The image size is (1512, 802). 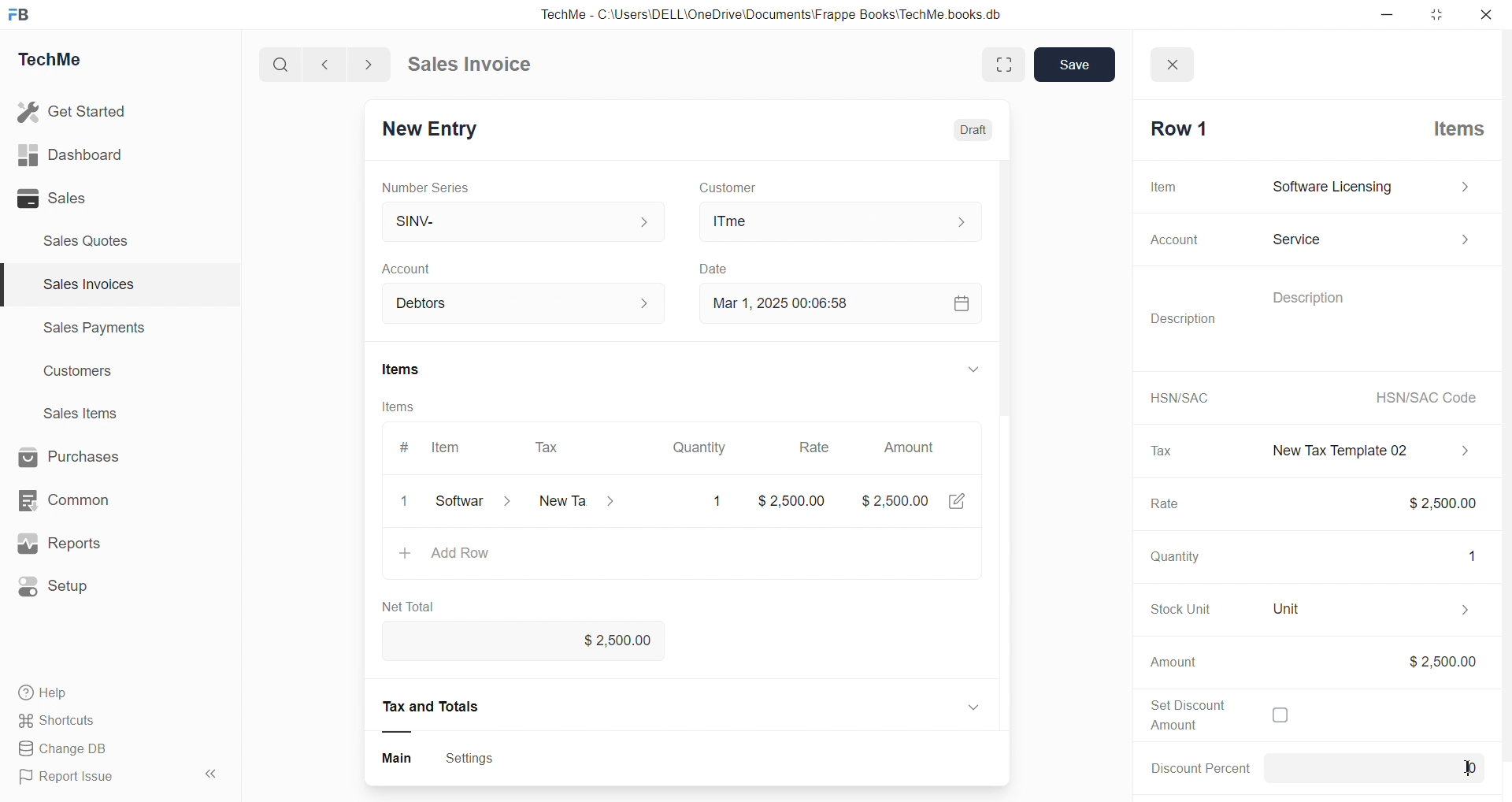 What do you see at coordinates (1160, 506) in the screenshot?
I see `Rate` at bounding box center [1160, 506].